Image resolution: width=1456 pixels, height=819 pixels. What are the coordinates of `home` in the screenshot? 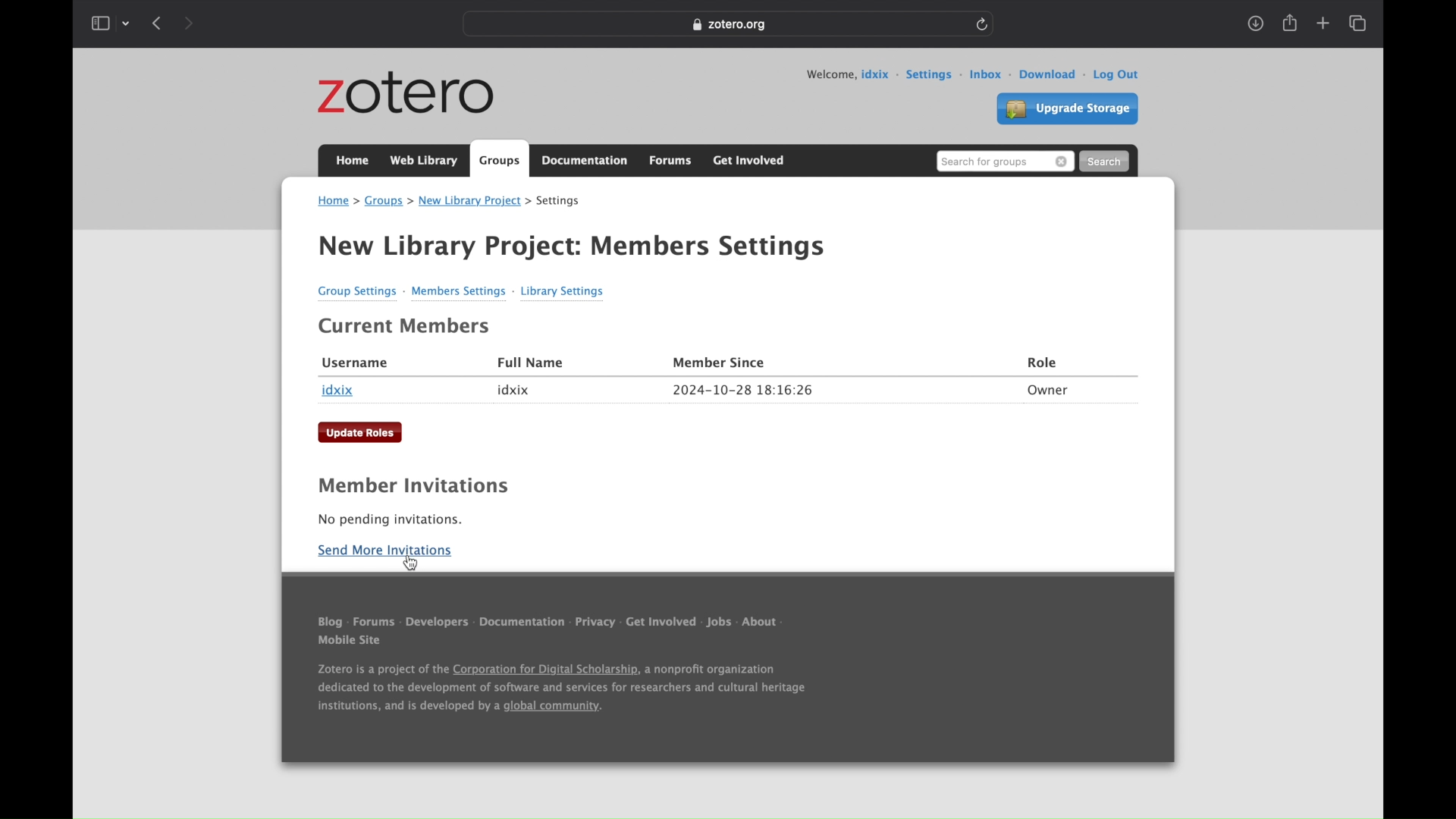 It's located at (337, 201).